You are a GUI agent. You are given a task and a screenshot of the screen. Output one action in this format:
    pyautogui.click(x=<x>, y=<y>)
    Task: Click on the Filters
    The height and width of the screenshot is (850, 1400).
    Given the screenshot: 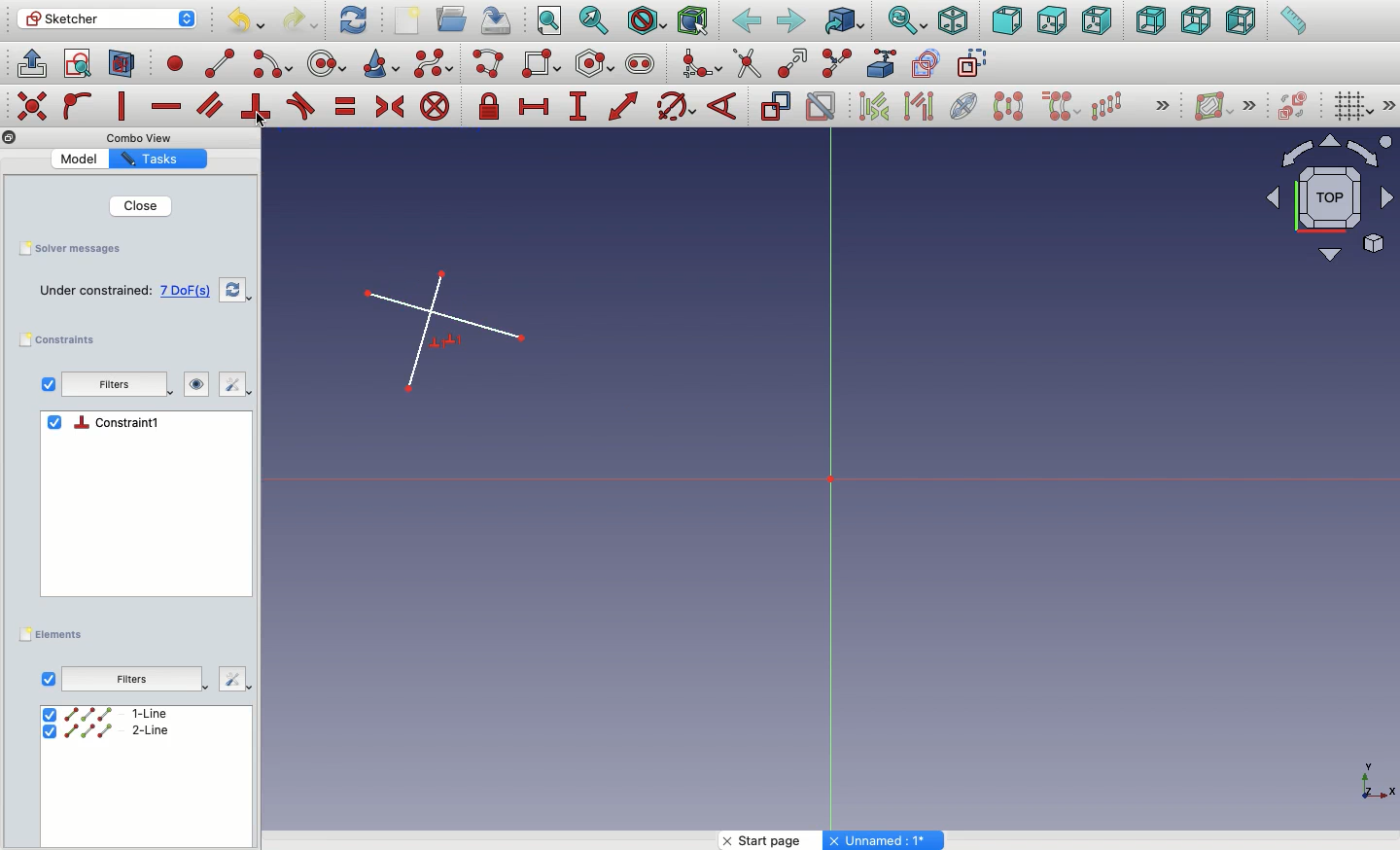 What is the action you would take?
    pyautogui.click(x=109, y=385)
    